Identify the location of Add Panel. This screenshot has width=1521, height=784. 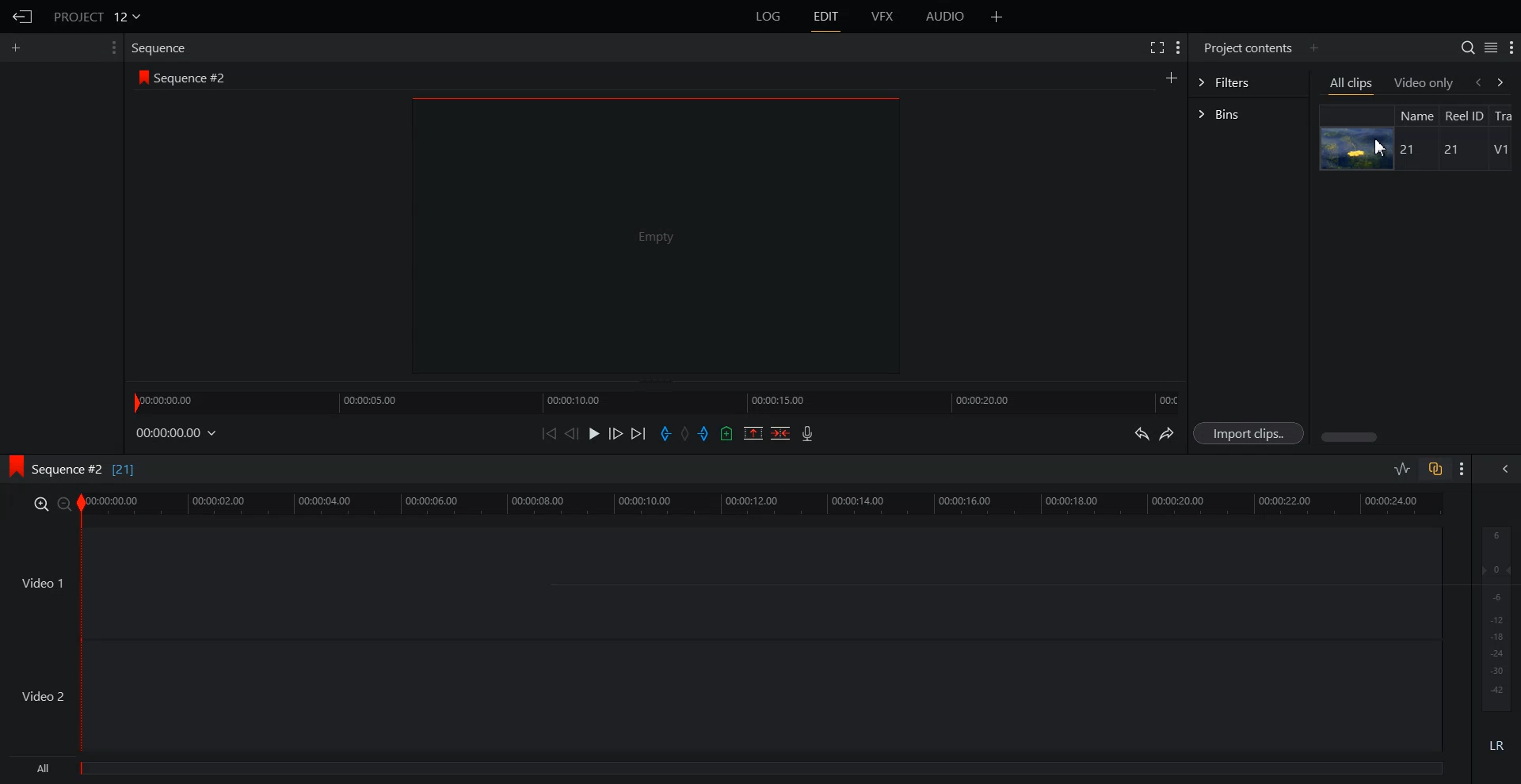
(1171, 76).